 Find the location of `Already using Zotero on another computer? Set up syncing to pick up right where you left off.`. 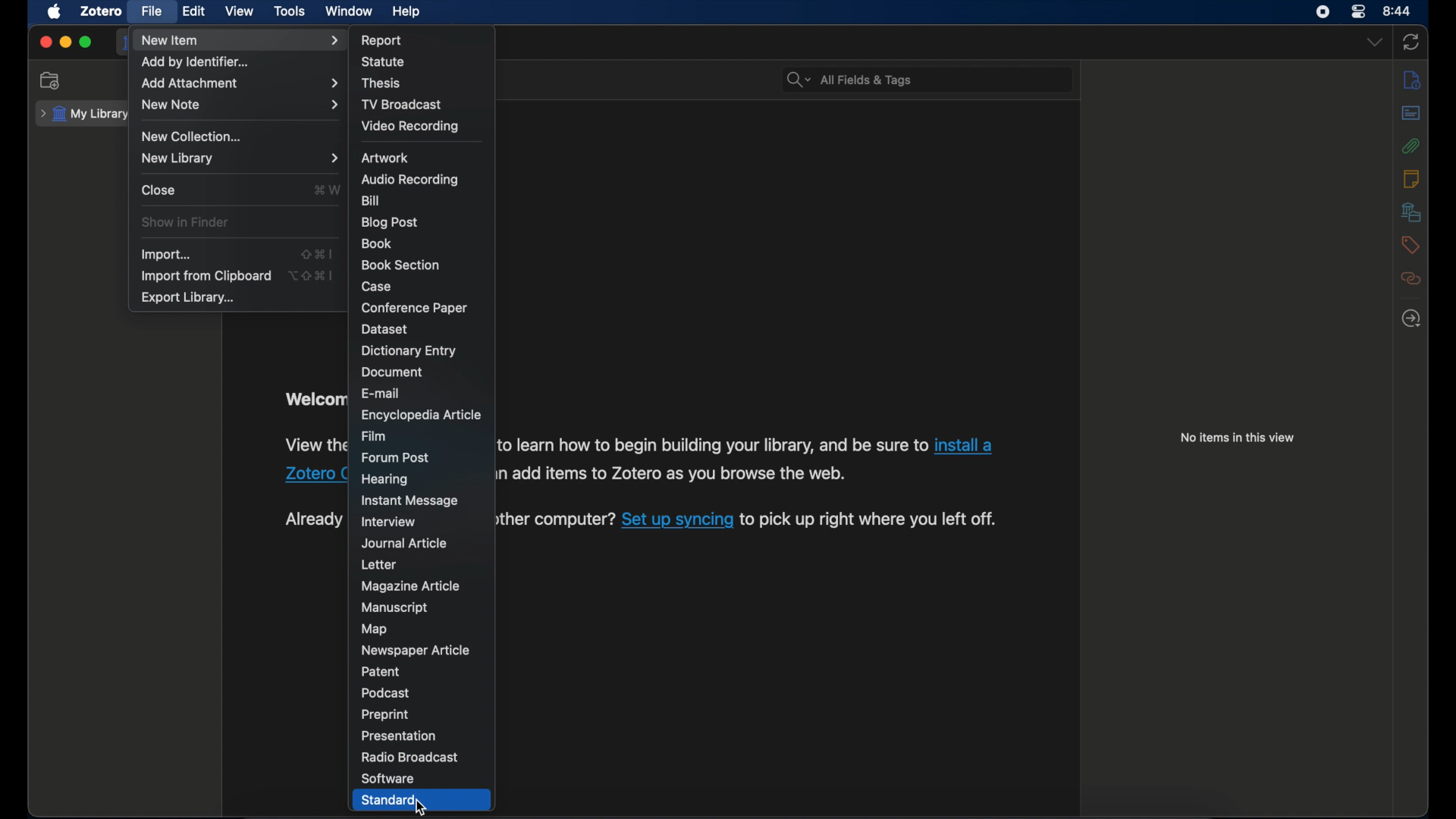

Already using Zotero on another computer? Set up syncing to pick up right where you left off. is located at coordinates (555, 520).